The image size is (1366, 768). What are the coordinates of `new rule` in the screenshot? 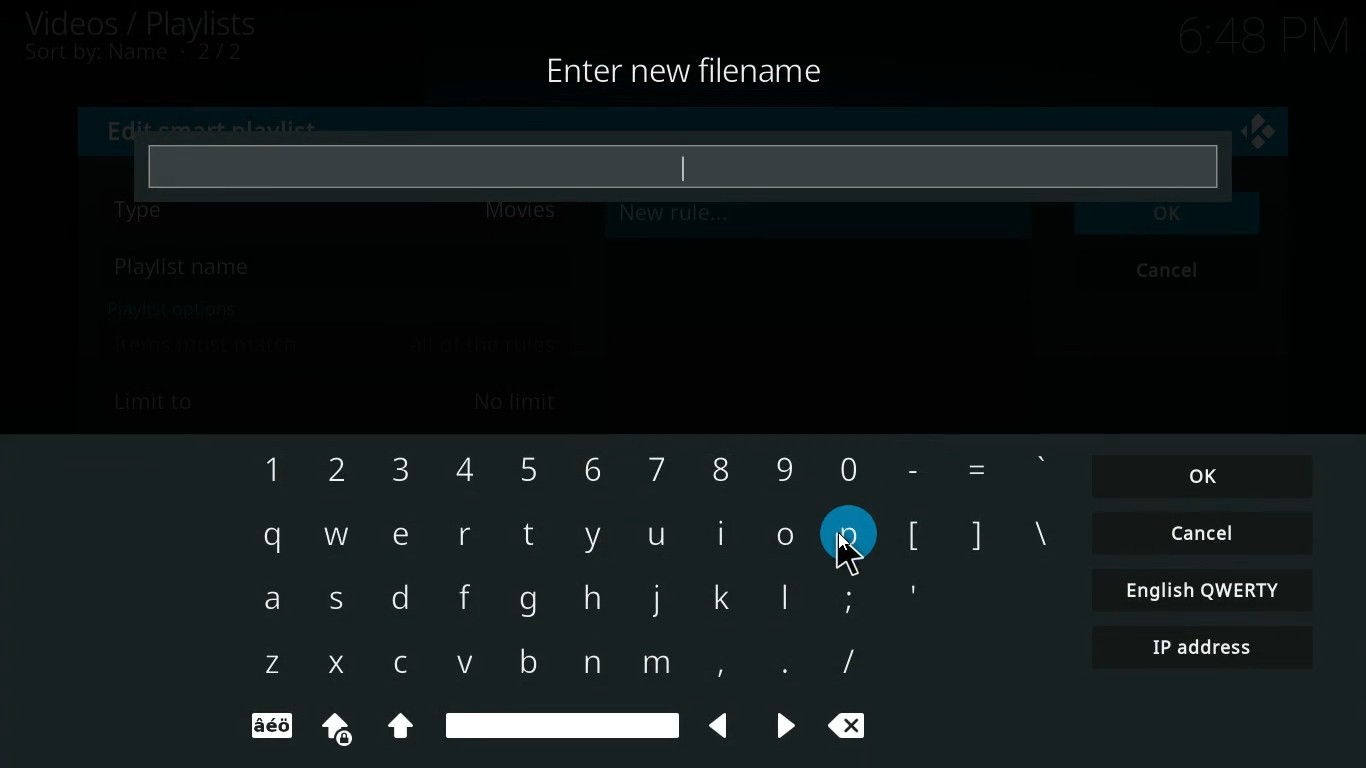 It's located at (722, 219).